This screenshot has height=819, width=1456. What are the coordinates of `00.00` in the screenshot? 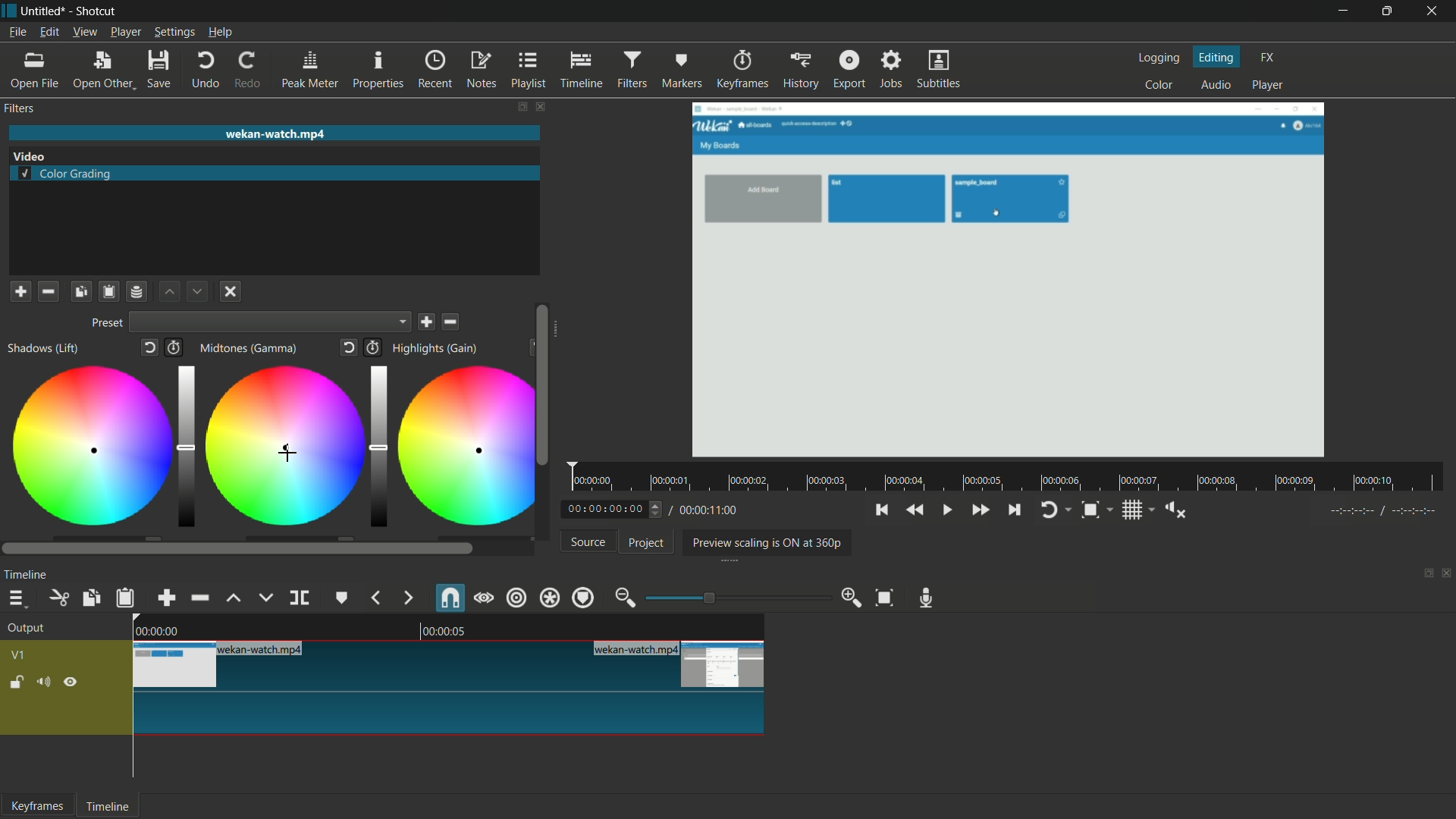 It's located at (156, 629).